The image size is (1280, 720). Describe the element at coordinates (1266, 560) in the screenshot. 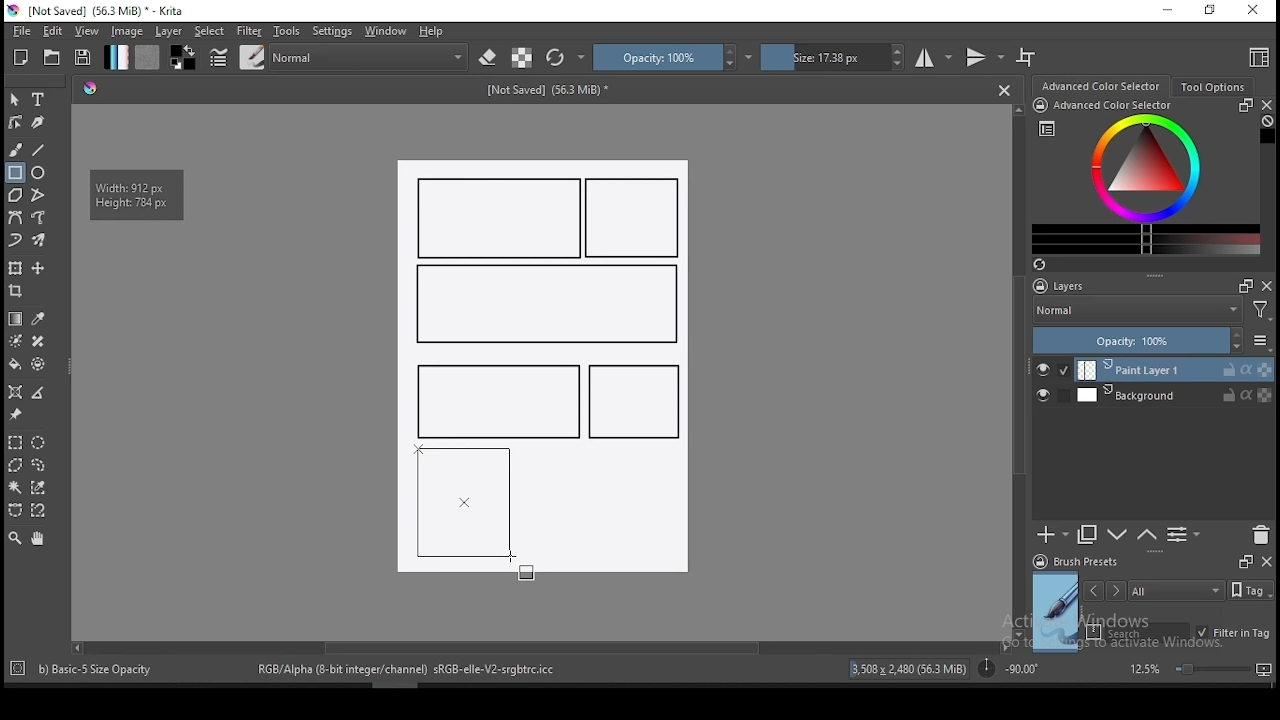

I see `close docker` at that location.